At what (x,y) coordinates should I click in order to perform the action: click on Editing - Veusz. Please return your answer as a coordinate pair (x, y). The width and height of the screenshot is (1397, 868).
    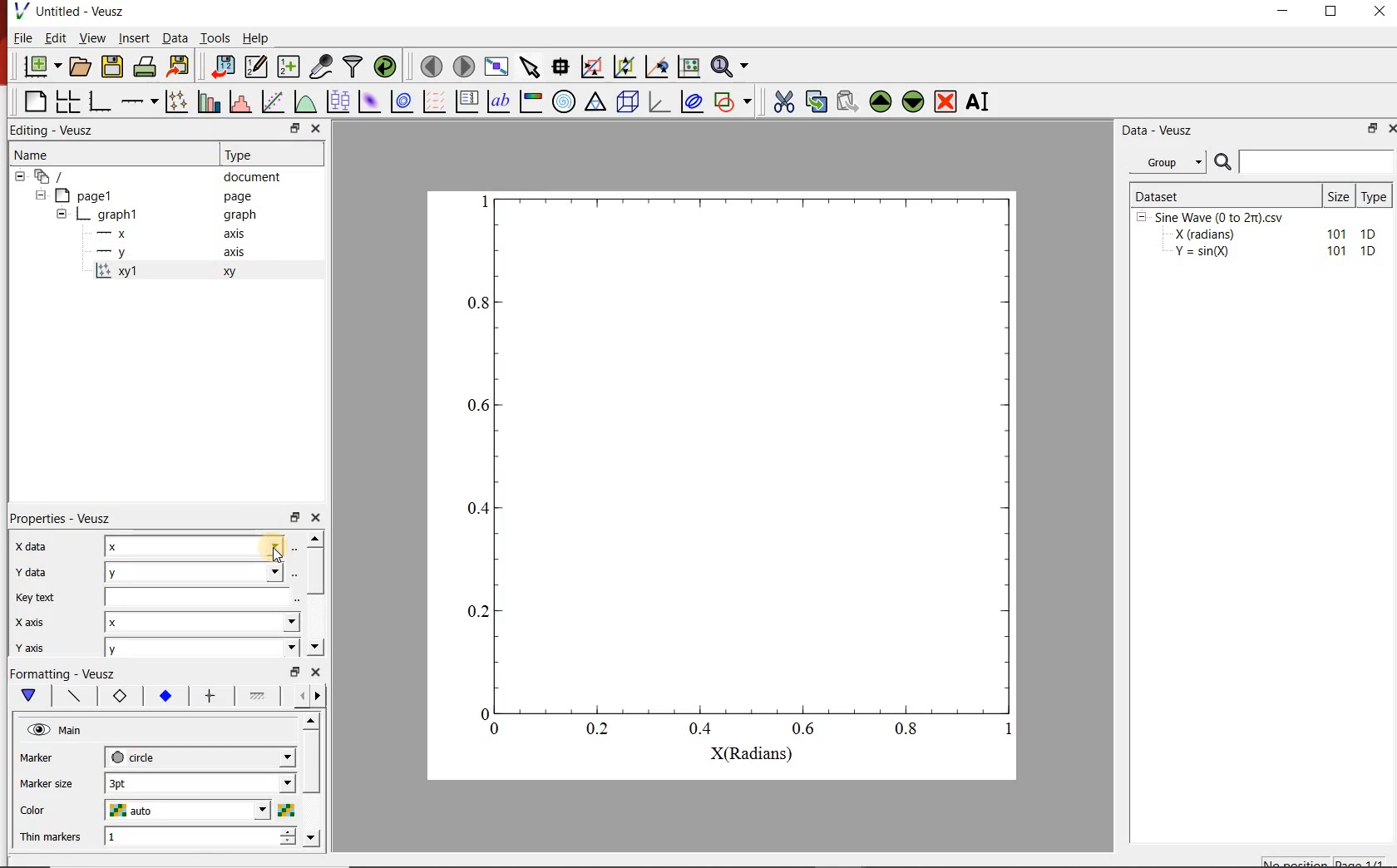
    Looking at the image, I should click on (55, 131).